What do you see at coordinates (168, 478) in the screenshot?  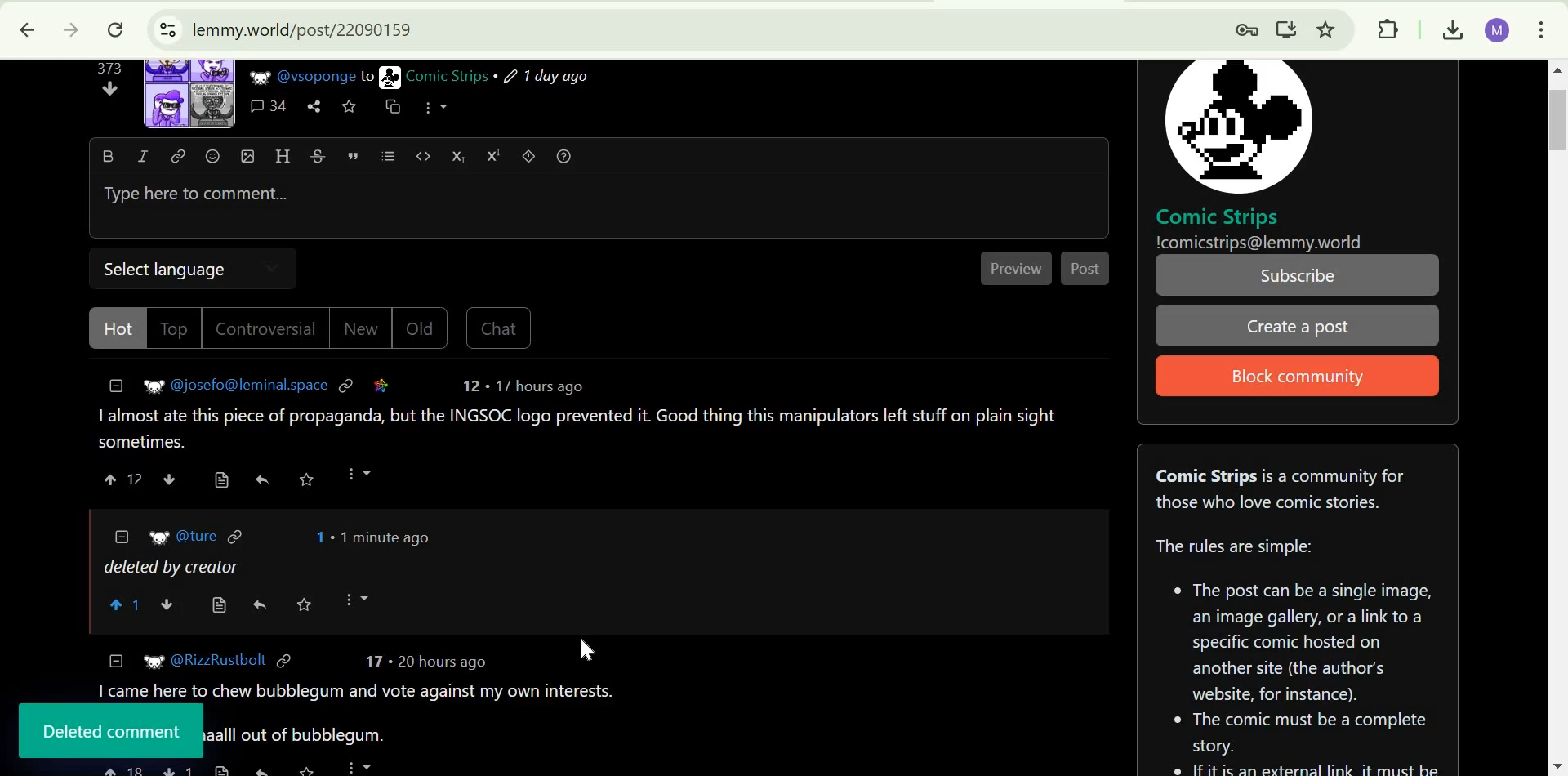 I see `downvote` at bounding box center [168, 478].